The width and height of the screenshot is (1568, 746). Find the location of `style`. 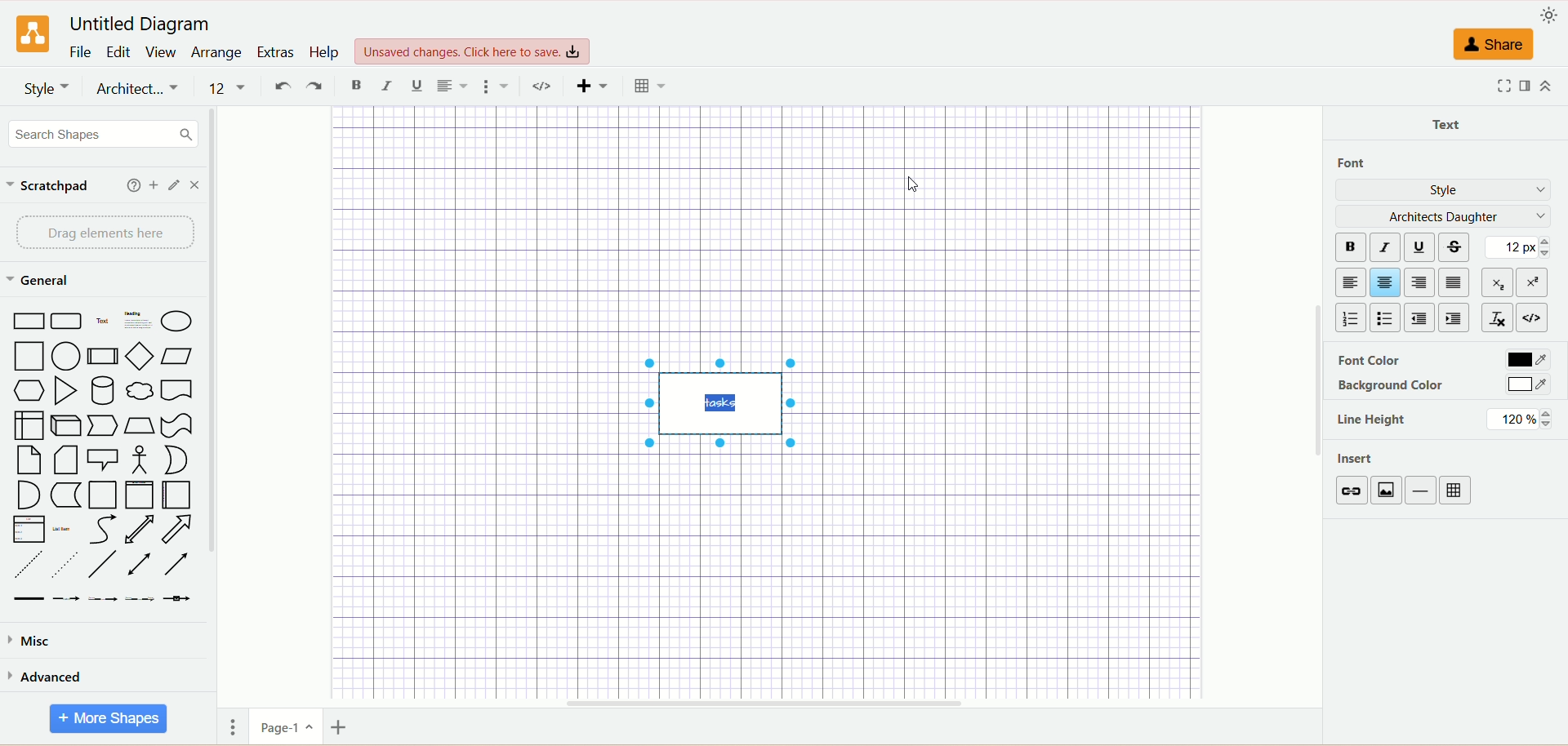

style is located at coordinates (1446, 191).